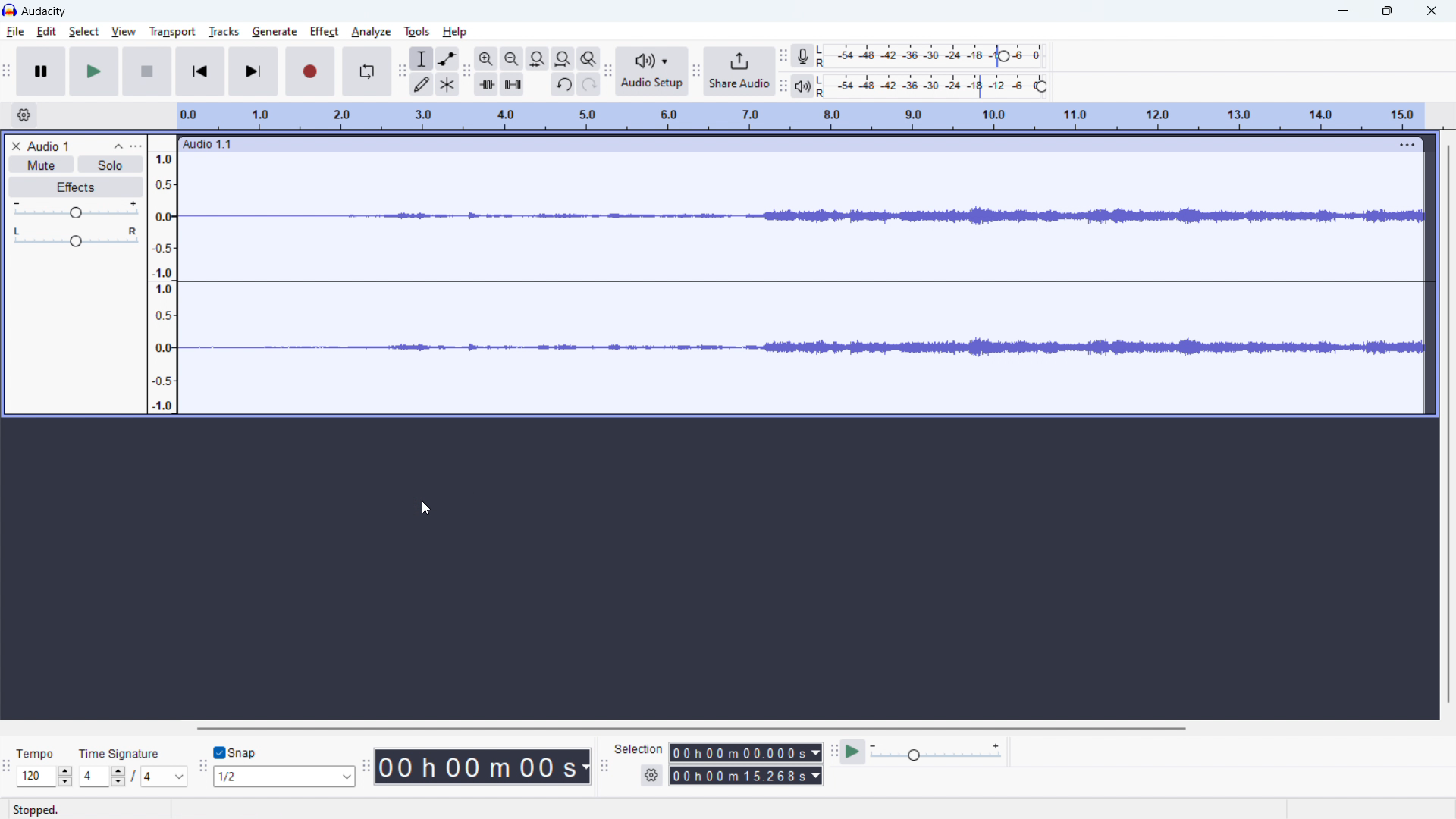 The width and height of the screenshot is (1456, 819). Describe the element at coordinates (225, 31) in the screenshot. I see `tracks` at that location.